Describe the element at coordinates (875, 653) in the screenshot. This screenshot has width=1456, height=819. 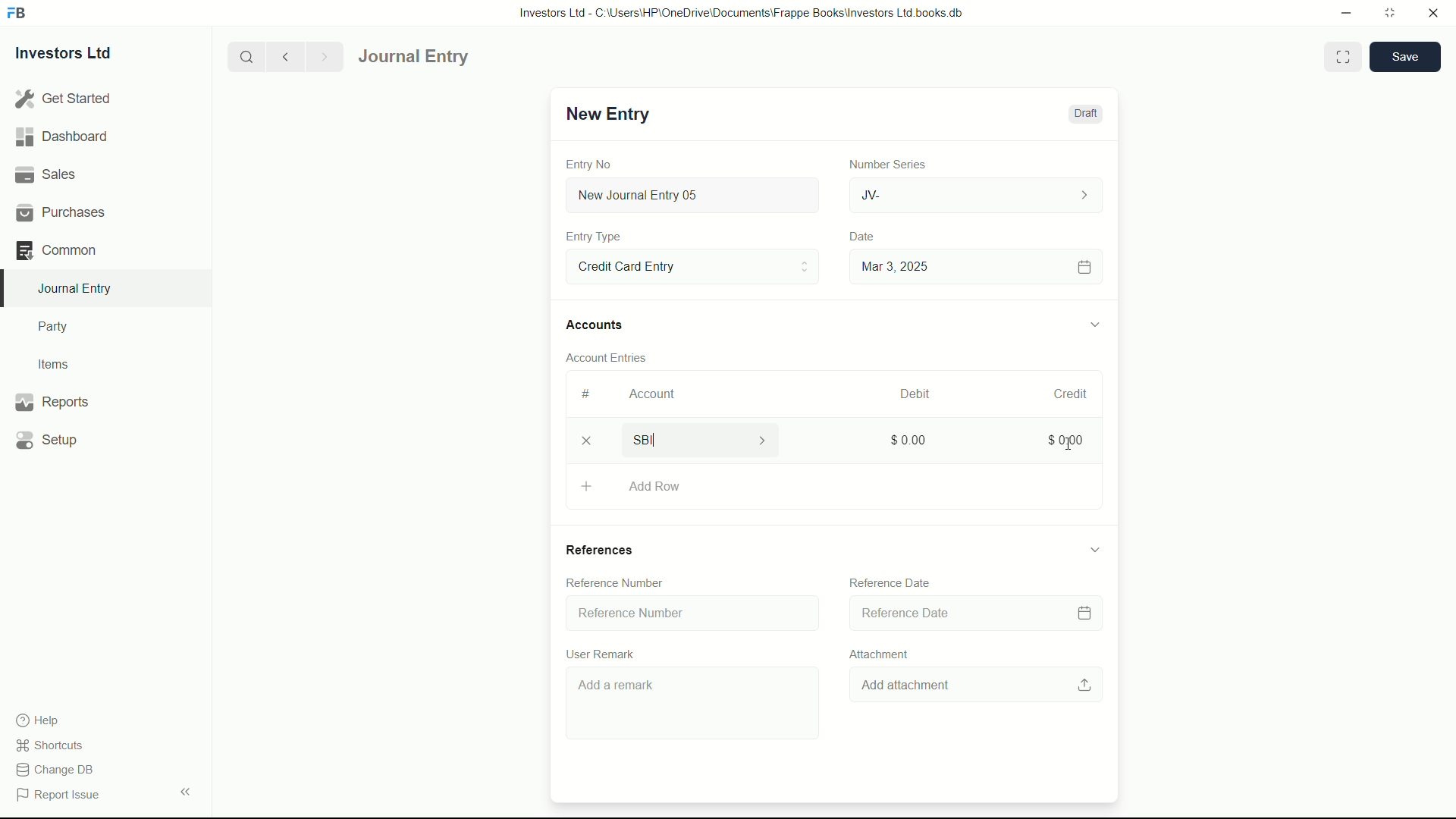
I see `Attachment` at that location.